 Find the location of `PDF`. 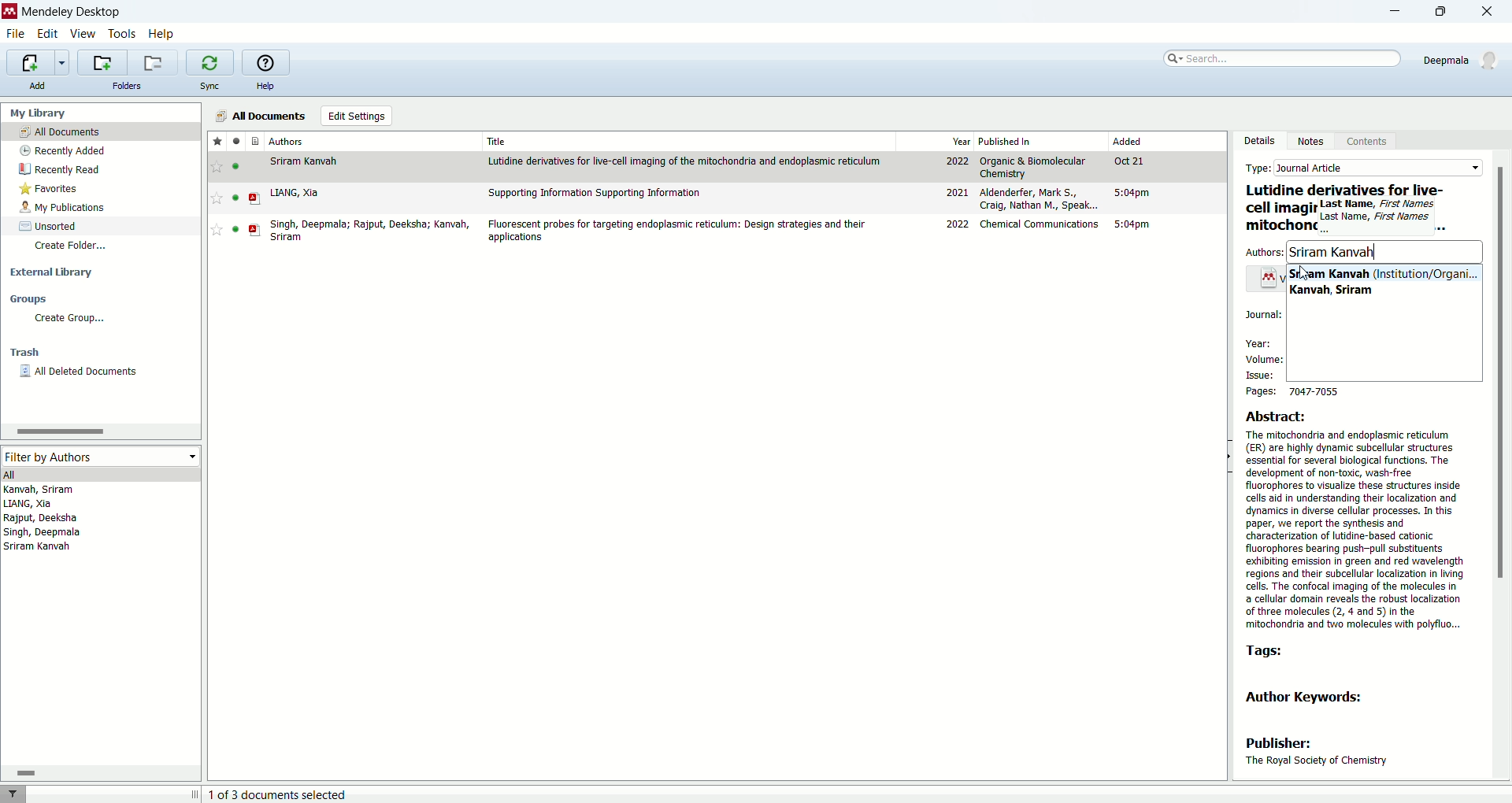

PDF is located at coordinates (256, 231).